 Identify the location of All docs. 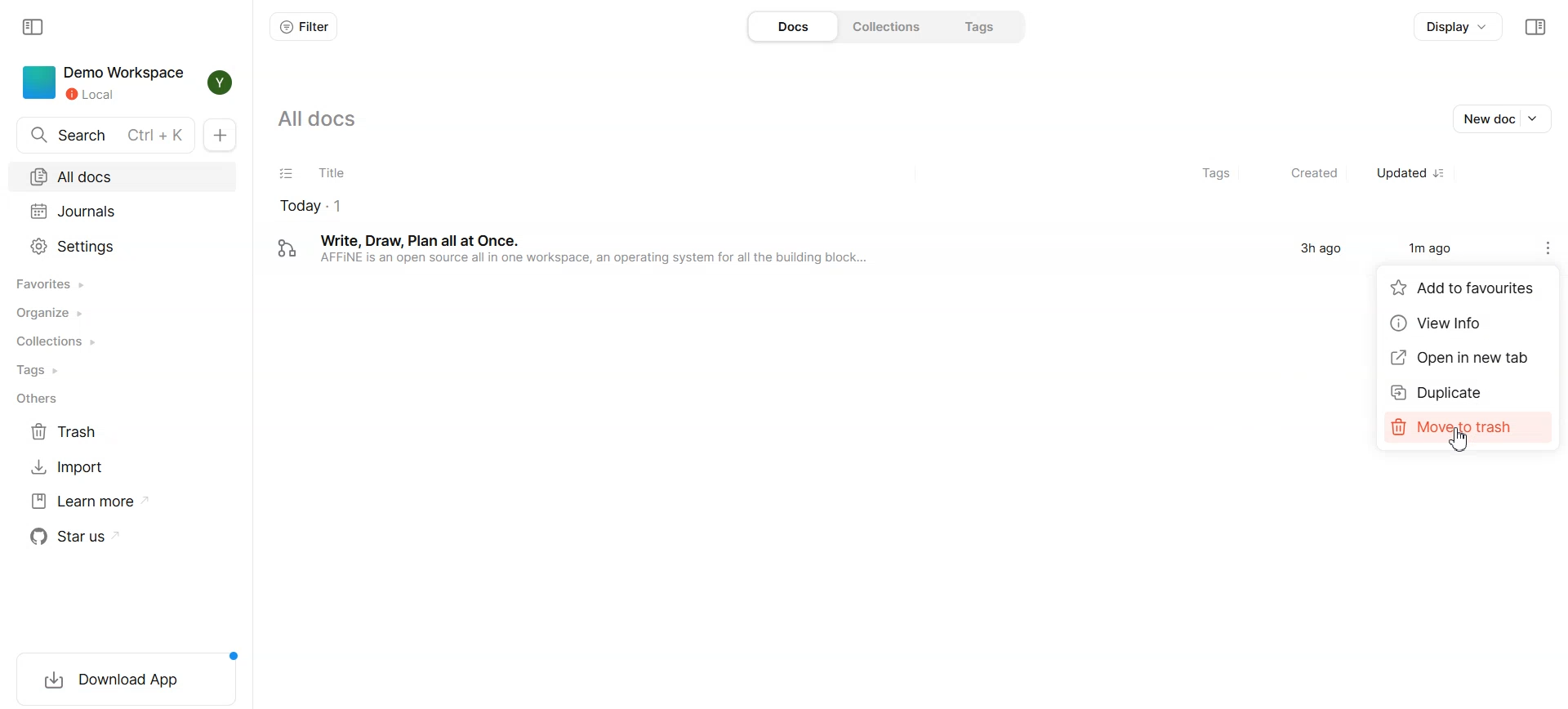
(325, 117).